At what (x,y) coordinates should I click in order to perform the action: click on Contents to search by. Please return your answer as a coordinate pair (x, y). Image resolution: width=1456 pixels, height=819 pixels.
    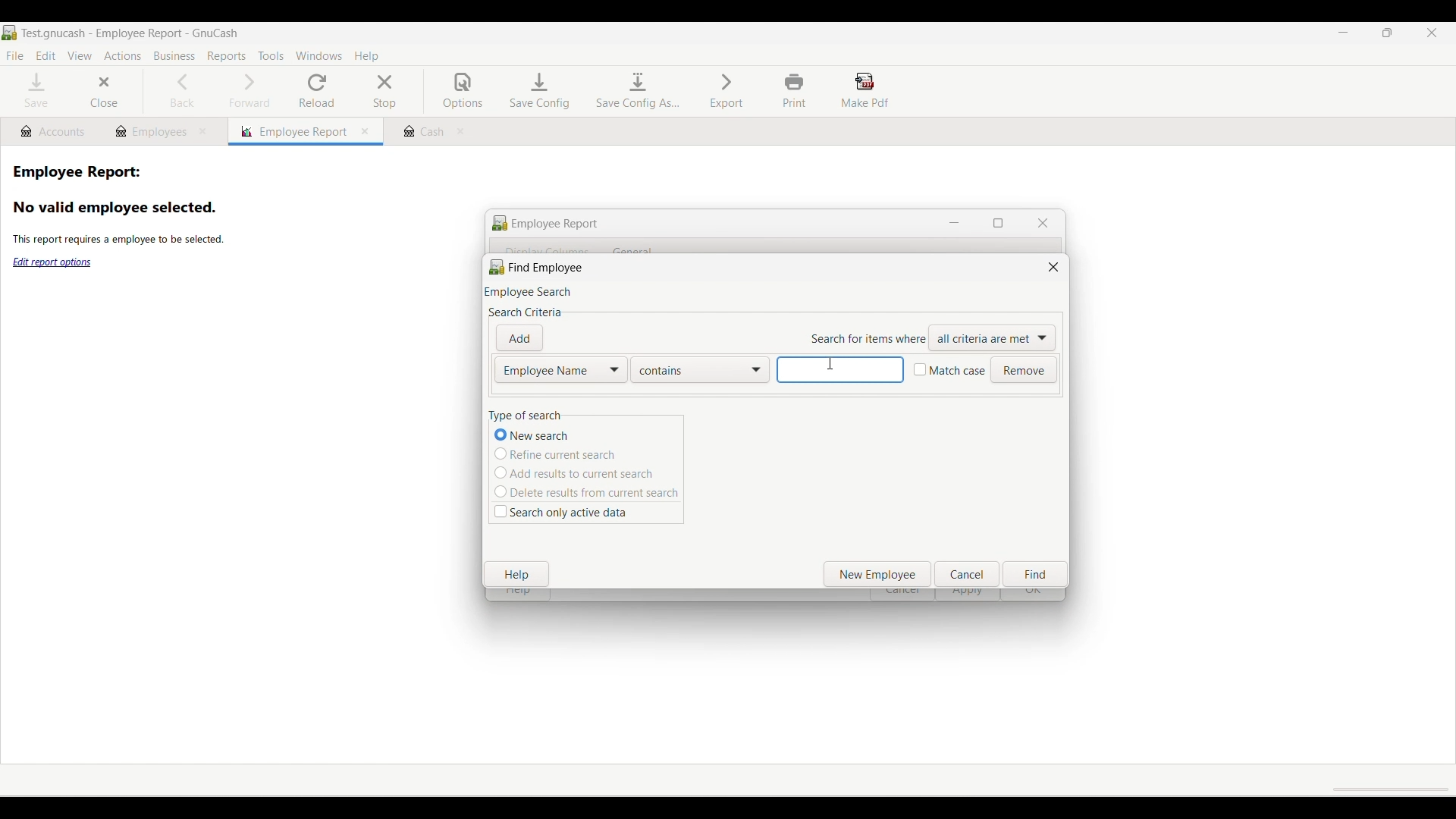
    Looking at the image, I should click on (701, 370).